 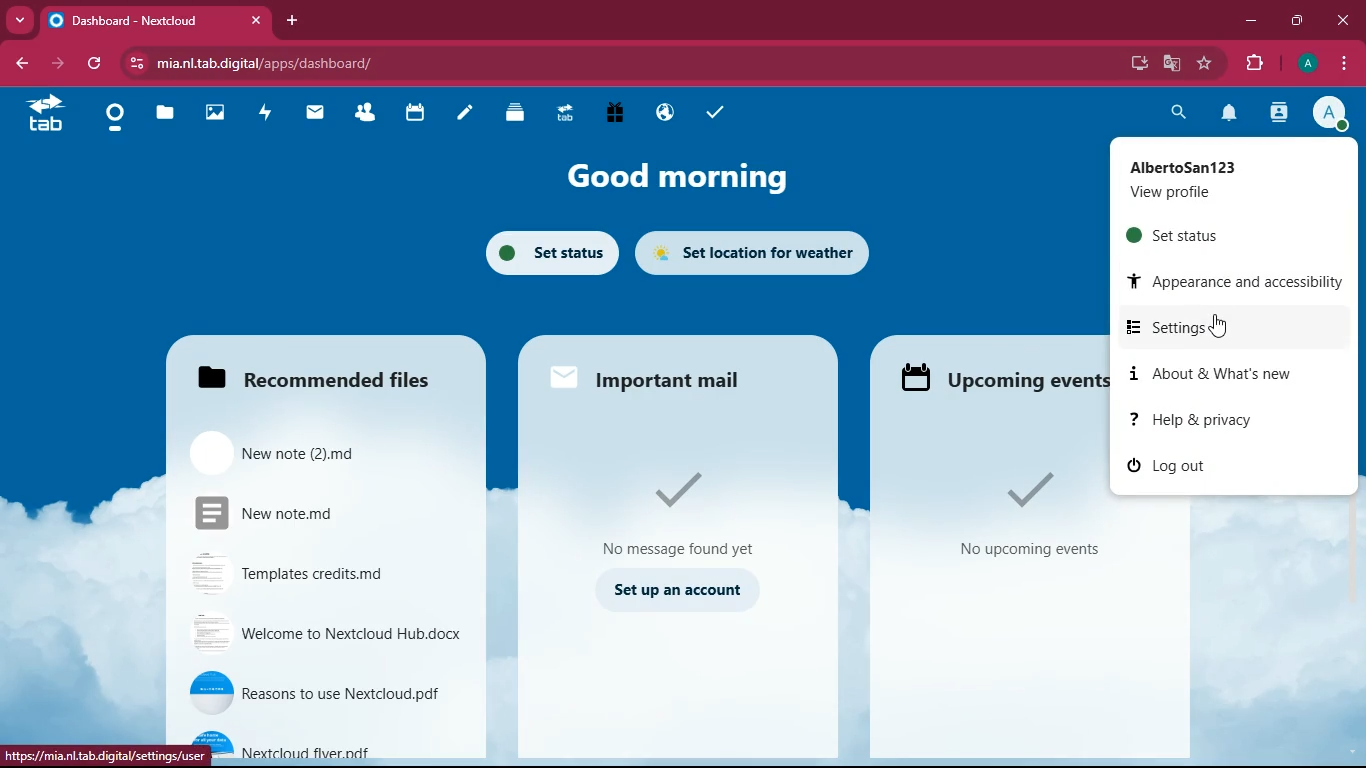 I want to click on favorite, so click(x=1204, y=64).